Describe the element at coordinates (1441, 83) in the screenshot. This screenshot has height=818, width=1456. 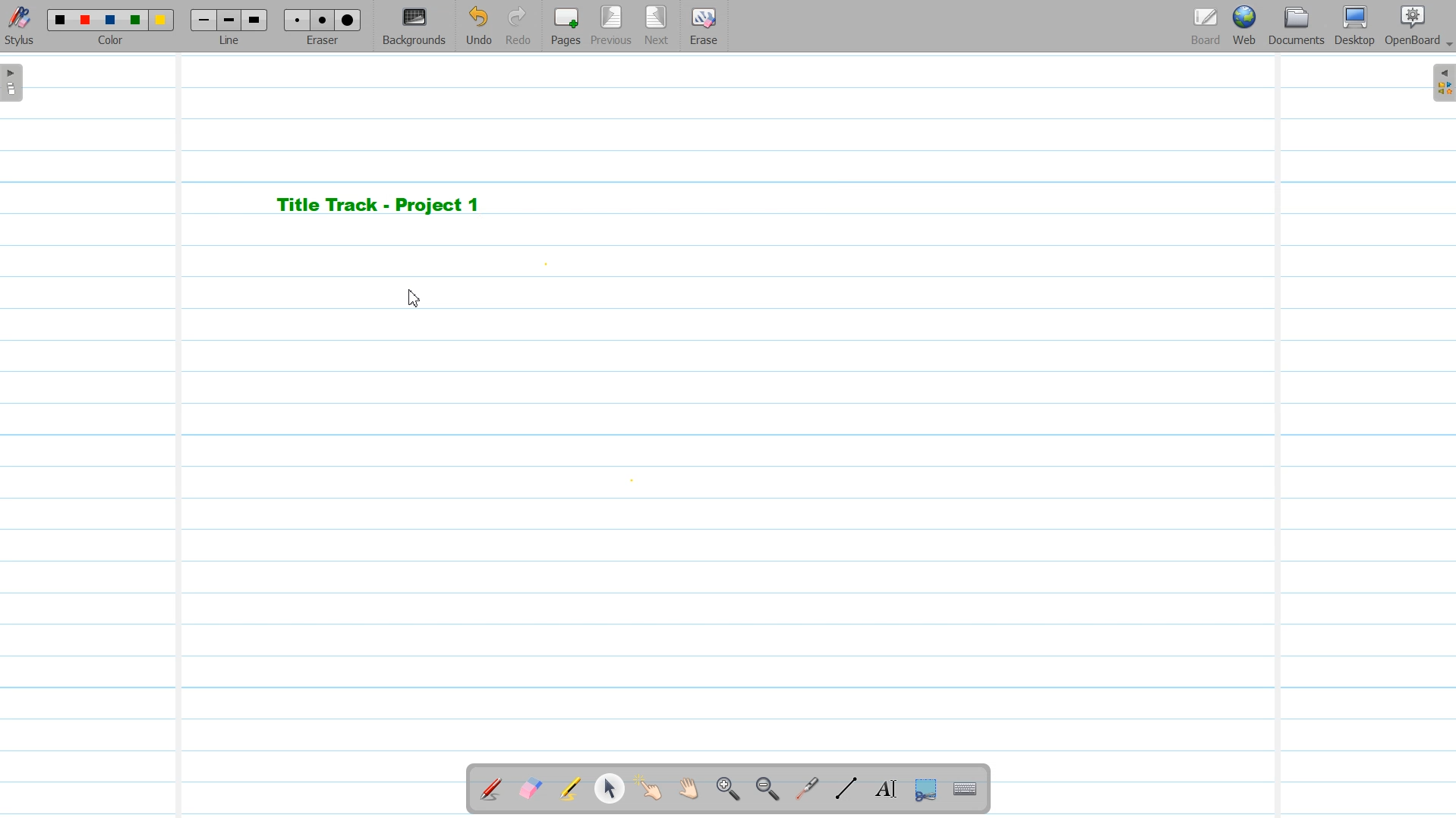
I see `Sidebar ` at that location.